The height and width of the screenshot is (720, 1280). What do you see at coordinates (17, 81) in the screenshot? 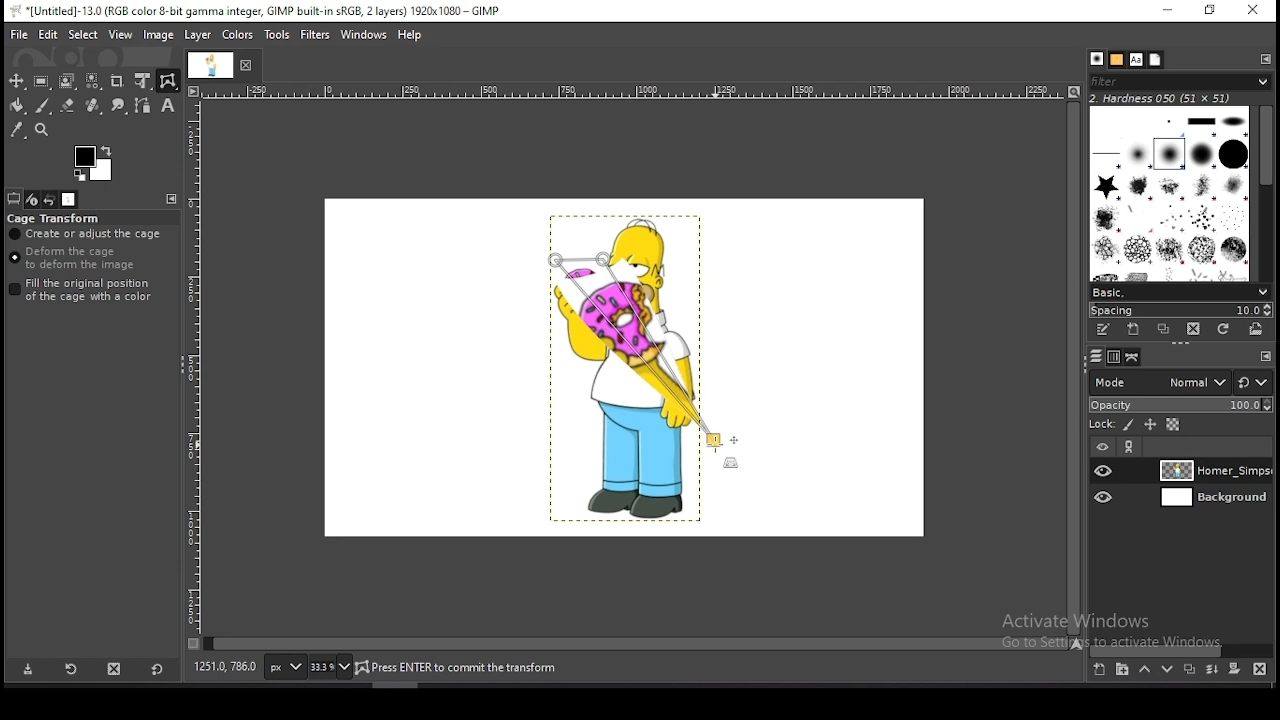
I see `move tool` at bounding box center [17, 81].